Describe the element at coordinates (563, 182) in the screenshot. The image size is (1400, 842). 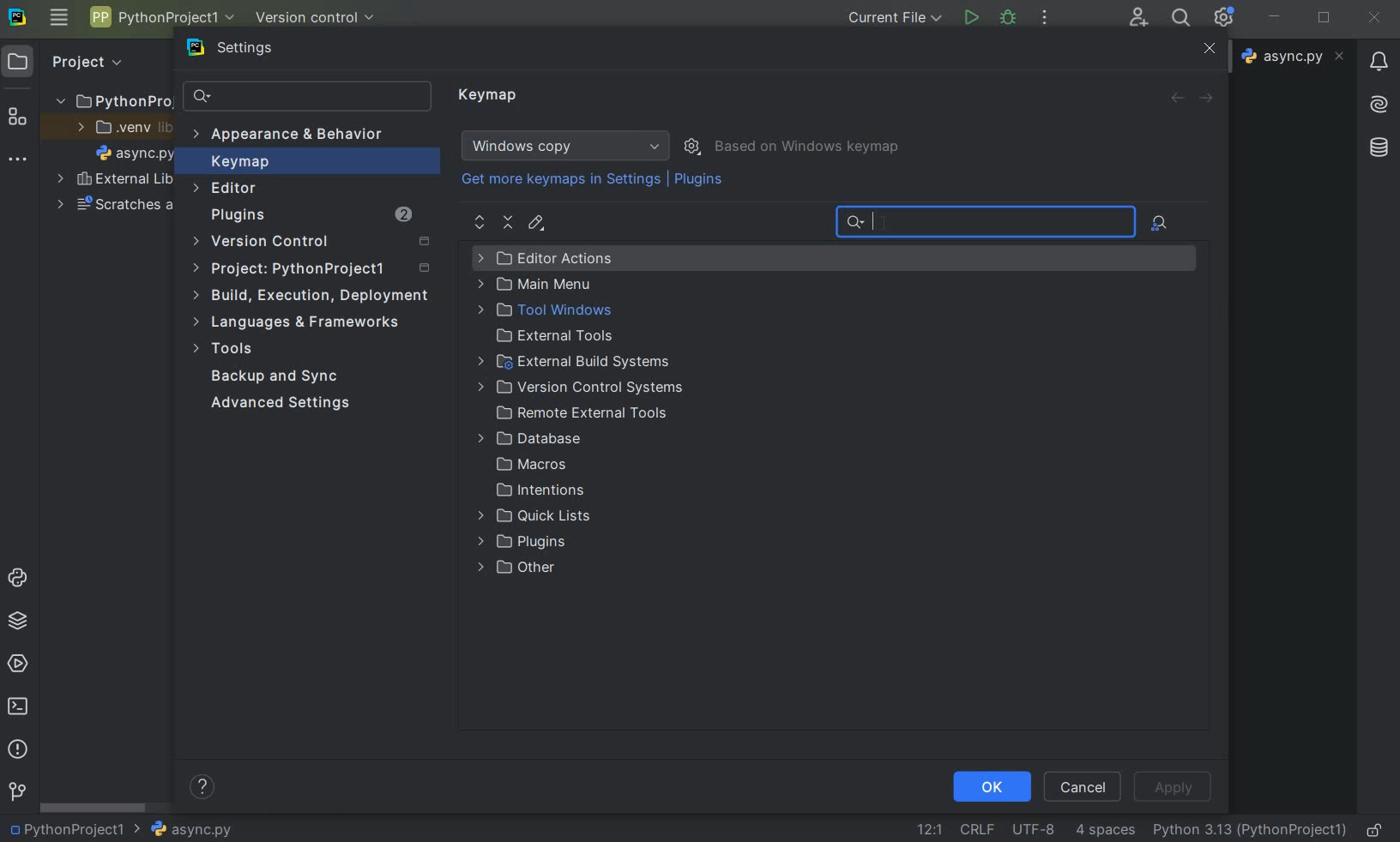
I see `get more keymaps in settings` at that location.